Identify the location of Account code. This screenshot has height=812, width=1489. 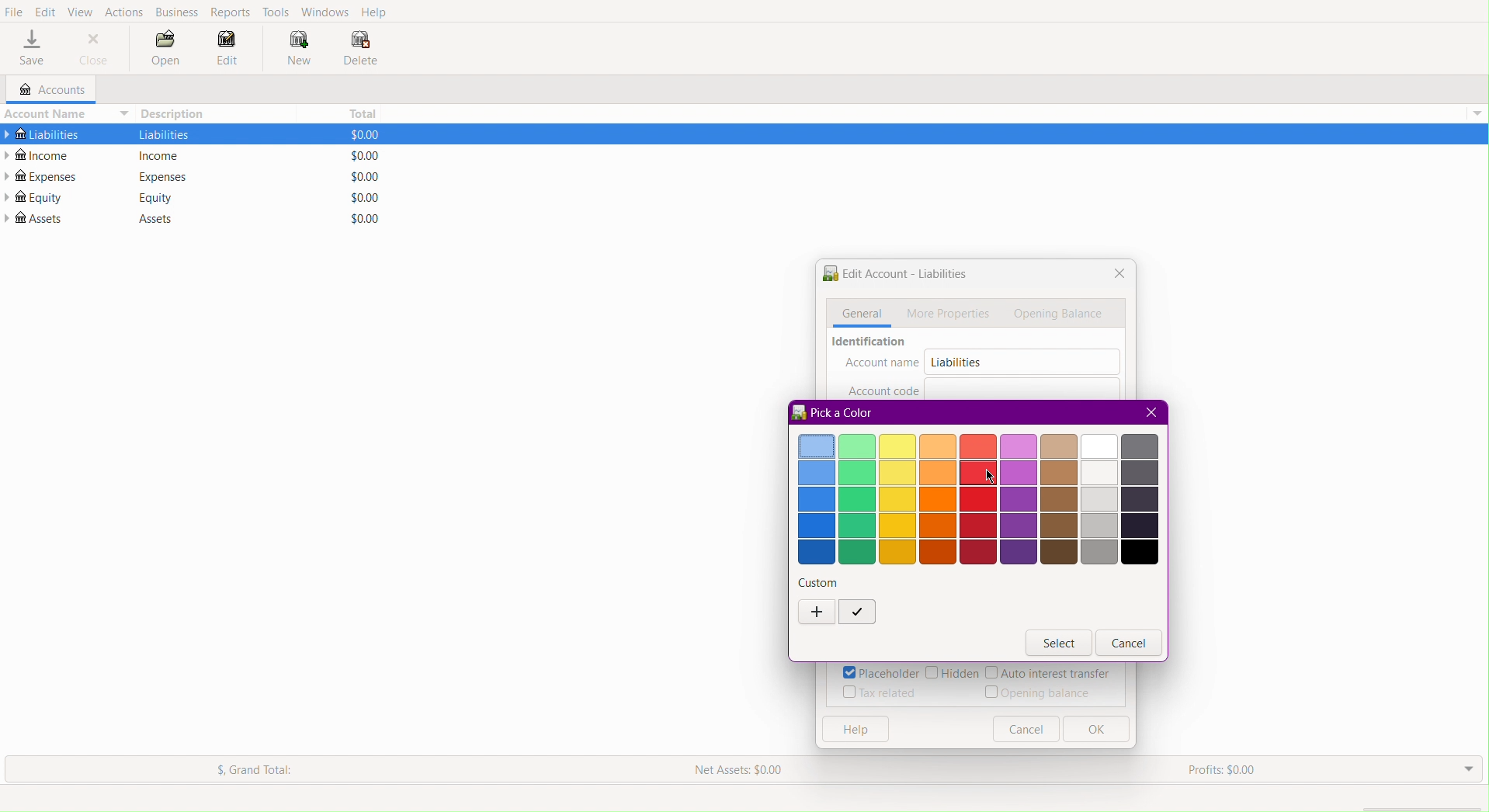
(883, 389).